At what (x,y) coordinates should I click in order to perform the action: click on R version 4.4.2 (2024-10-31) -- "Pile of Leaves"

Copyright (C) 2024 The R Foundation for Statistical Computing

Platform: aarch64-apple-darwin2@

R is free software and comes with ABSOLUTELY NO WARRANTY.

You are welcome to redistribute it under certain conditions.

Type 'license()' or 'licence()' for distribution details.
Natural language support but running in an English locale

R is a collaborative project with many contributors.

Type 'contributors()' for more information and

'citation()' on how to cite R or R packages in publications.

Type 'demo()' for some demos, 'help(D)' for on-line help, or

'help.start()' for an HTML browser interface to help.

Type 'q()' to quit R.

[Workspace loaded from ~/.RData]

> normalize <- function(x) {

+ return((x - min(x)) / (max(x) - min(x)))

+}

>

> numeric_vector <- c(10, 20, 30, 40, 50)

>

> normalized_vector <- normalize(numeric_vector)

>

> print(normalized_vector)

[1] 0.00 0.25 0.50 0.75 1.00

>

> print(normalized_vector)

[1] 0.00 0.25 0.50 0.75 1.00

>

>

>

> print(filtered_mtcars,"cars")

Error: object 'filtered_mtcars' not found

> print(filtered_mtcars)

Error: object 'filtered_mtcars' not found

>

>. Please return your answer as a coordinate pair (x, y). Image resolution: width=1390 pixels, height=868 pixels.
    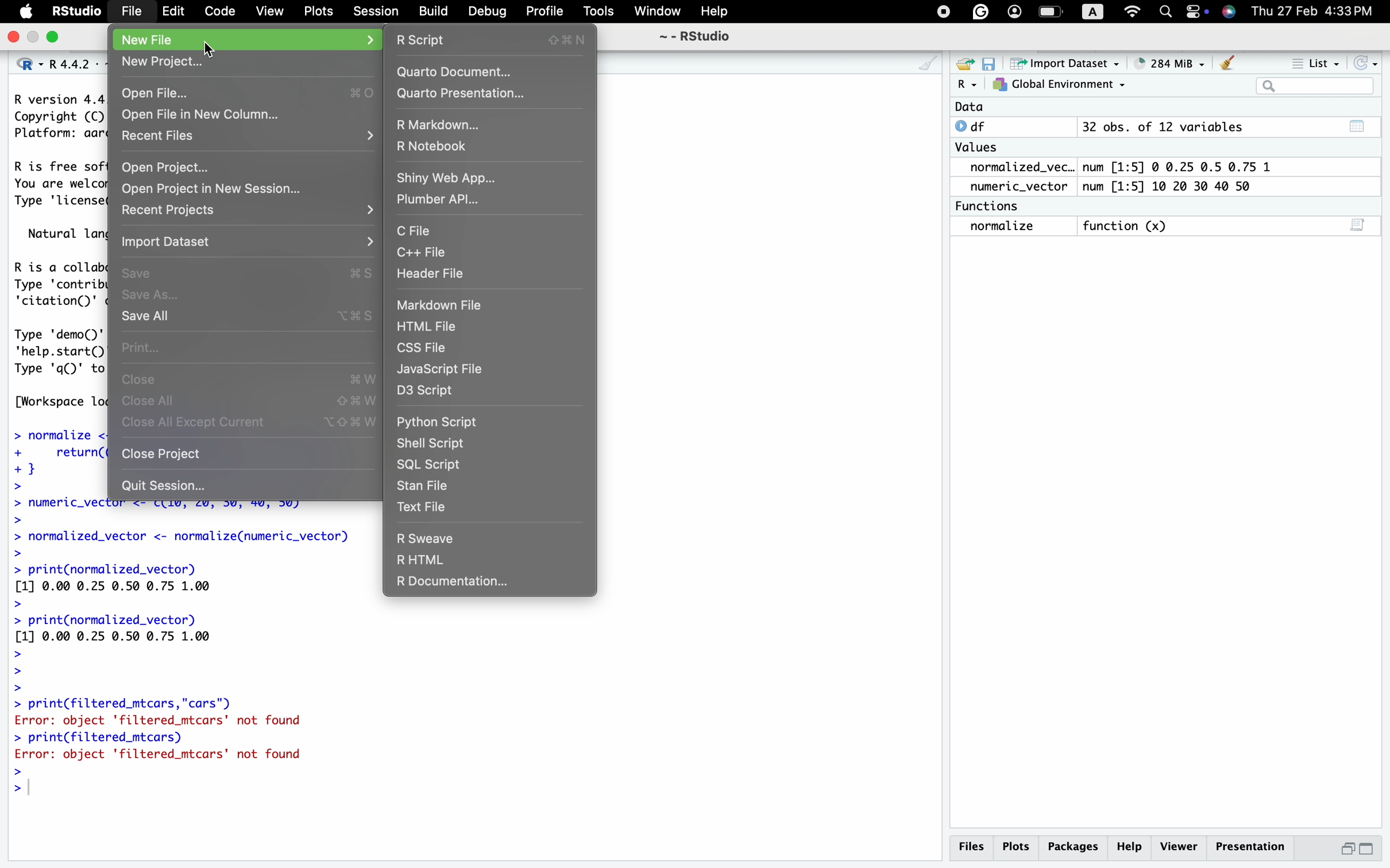
    Looking at the image, I should click on (177, 653).